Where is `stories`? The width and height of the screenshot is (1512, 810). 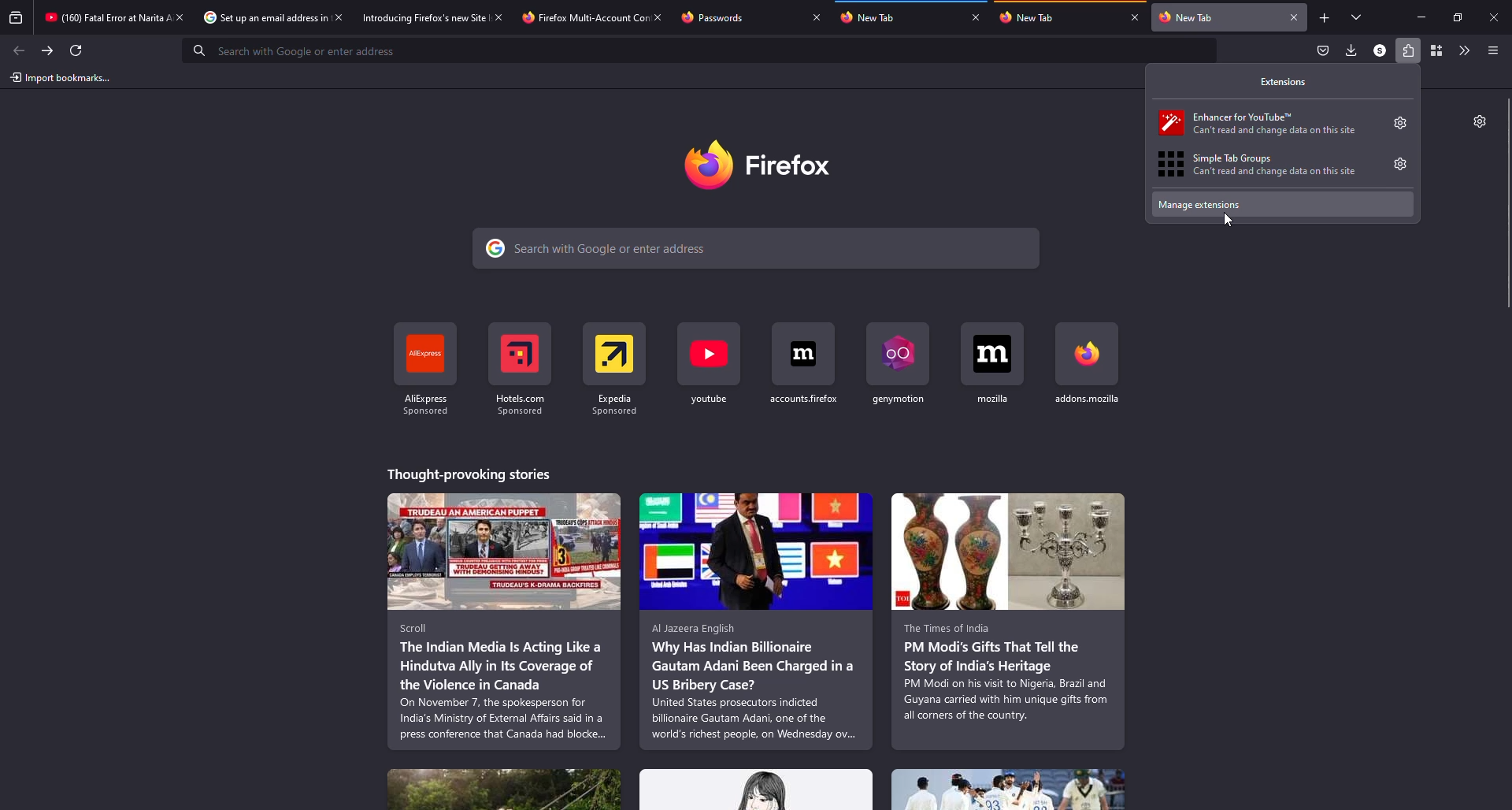 stories is located at coordinates (1010, 621).